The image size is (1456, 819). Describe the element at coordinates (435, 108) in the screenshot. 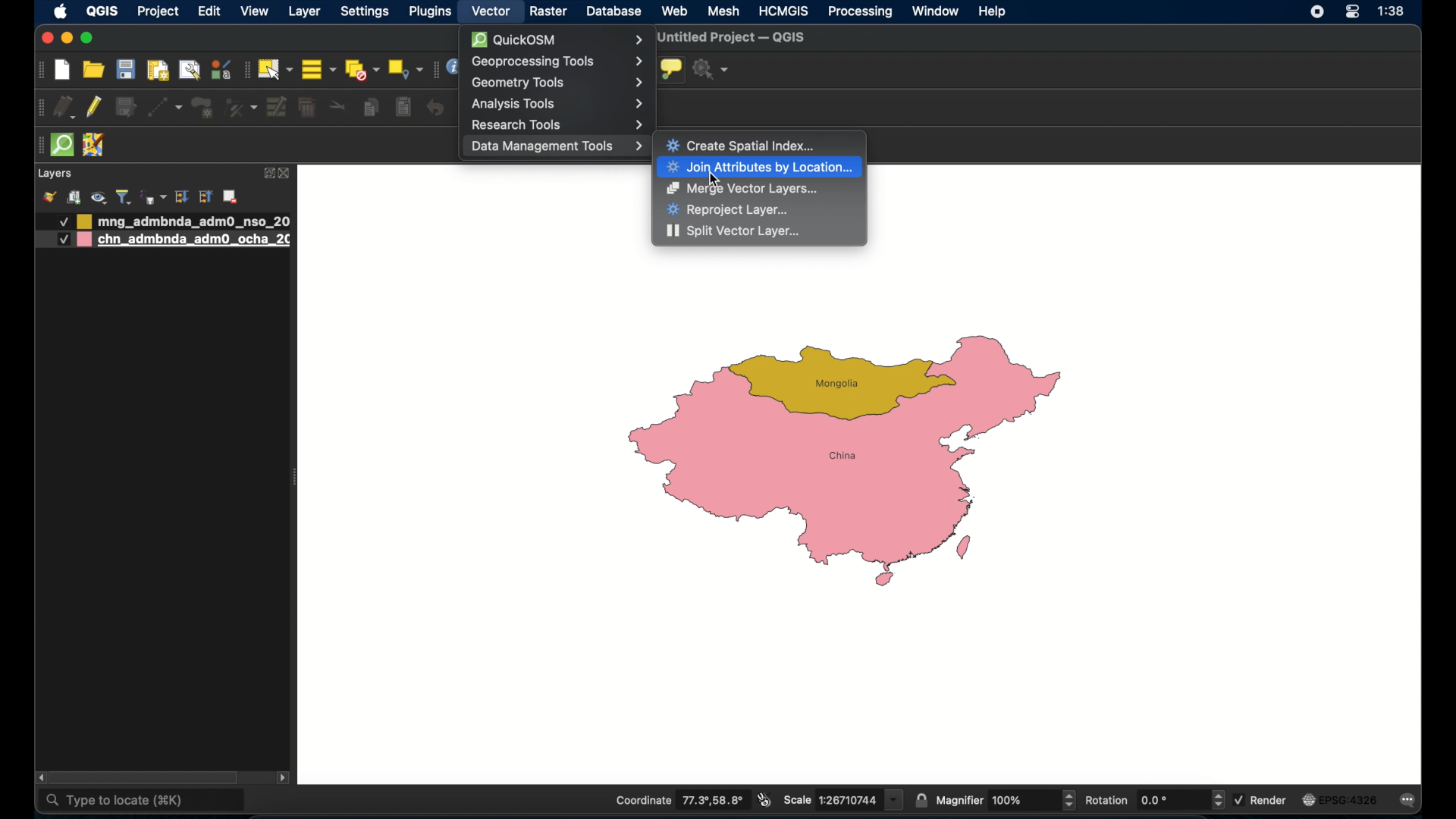

I see `undo` at that location.